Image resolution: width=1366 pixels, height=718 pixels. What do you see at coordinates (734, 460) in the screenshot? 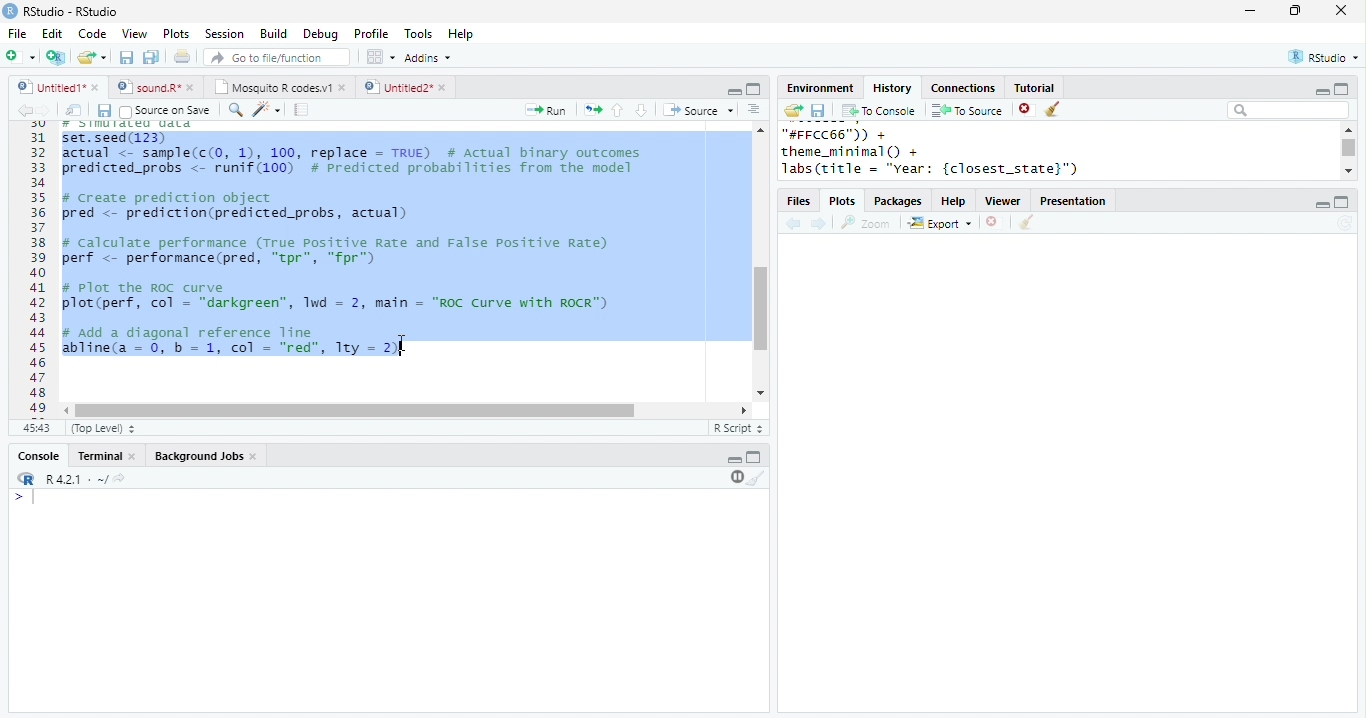
I see `minimize` at bounding box center [734, 460].